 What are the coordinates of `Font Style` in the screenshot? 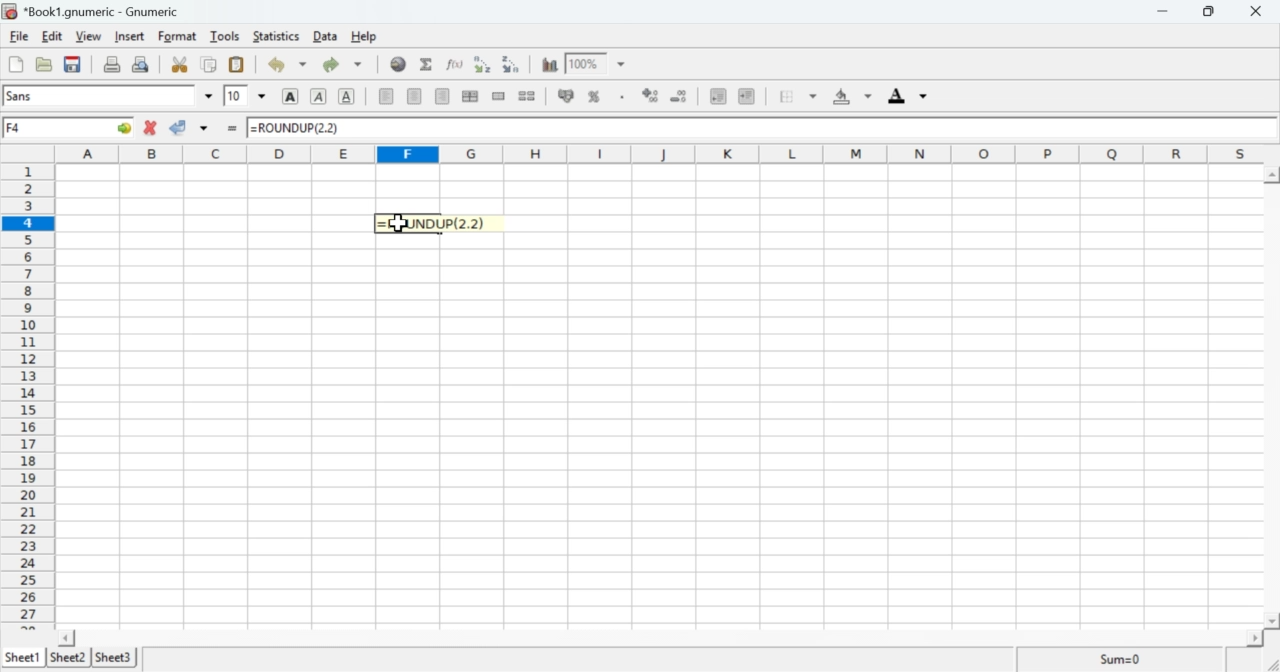 It's located at (101, 96).